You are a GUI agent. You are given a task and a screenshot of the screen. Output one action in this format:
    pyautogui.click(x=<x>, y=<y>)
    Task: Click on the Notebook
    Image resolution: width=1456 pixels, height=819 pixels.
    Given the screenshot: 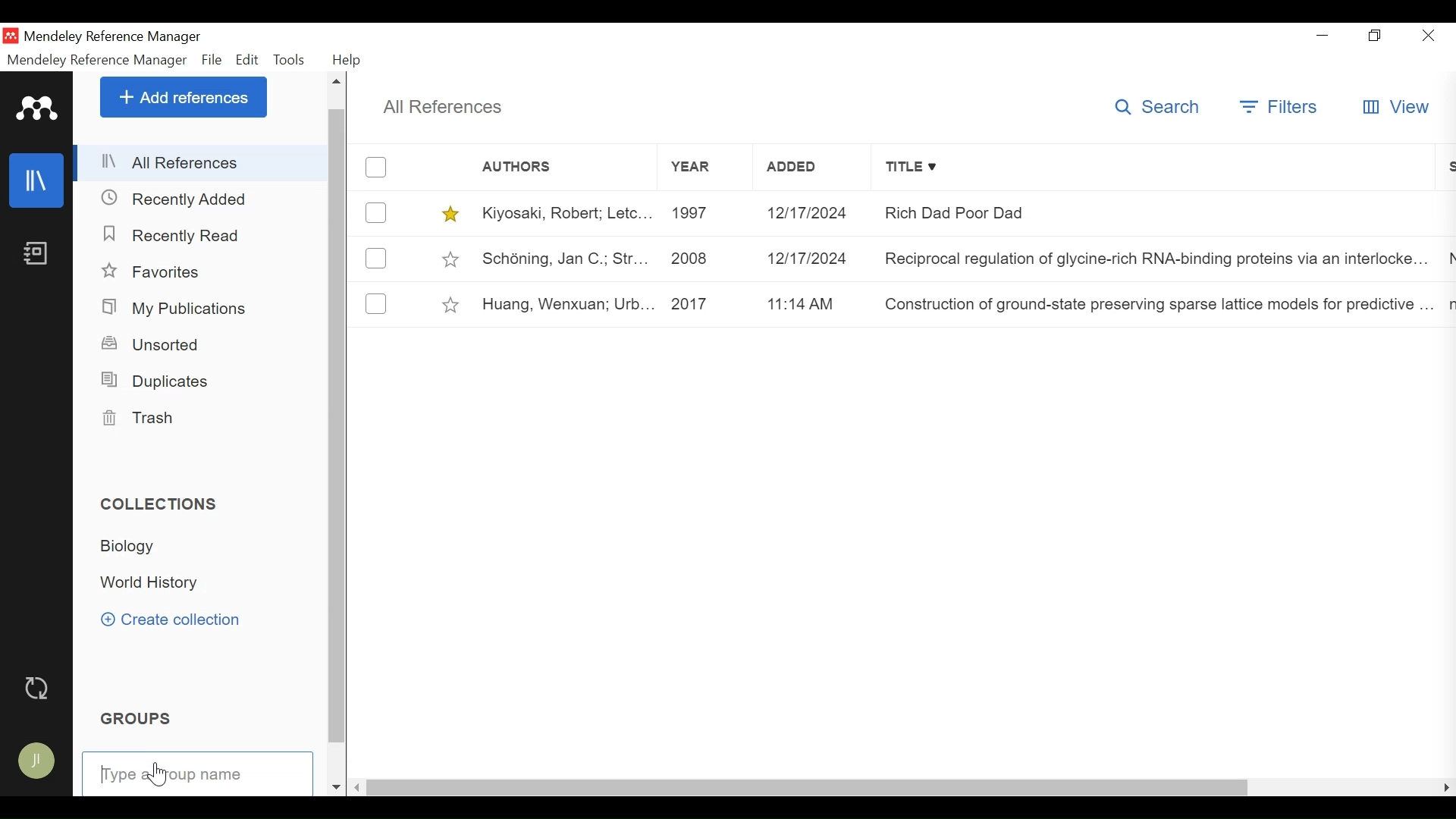 What is the action you would take?
    pyautogui.click(x=37, y=255)
    